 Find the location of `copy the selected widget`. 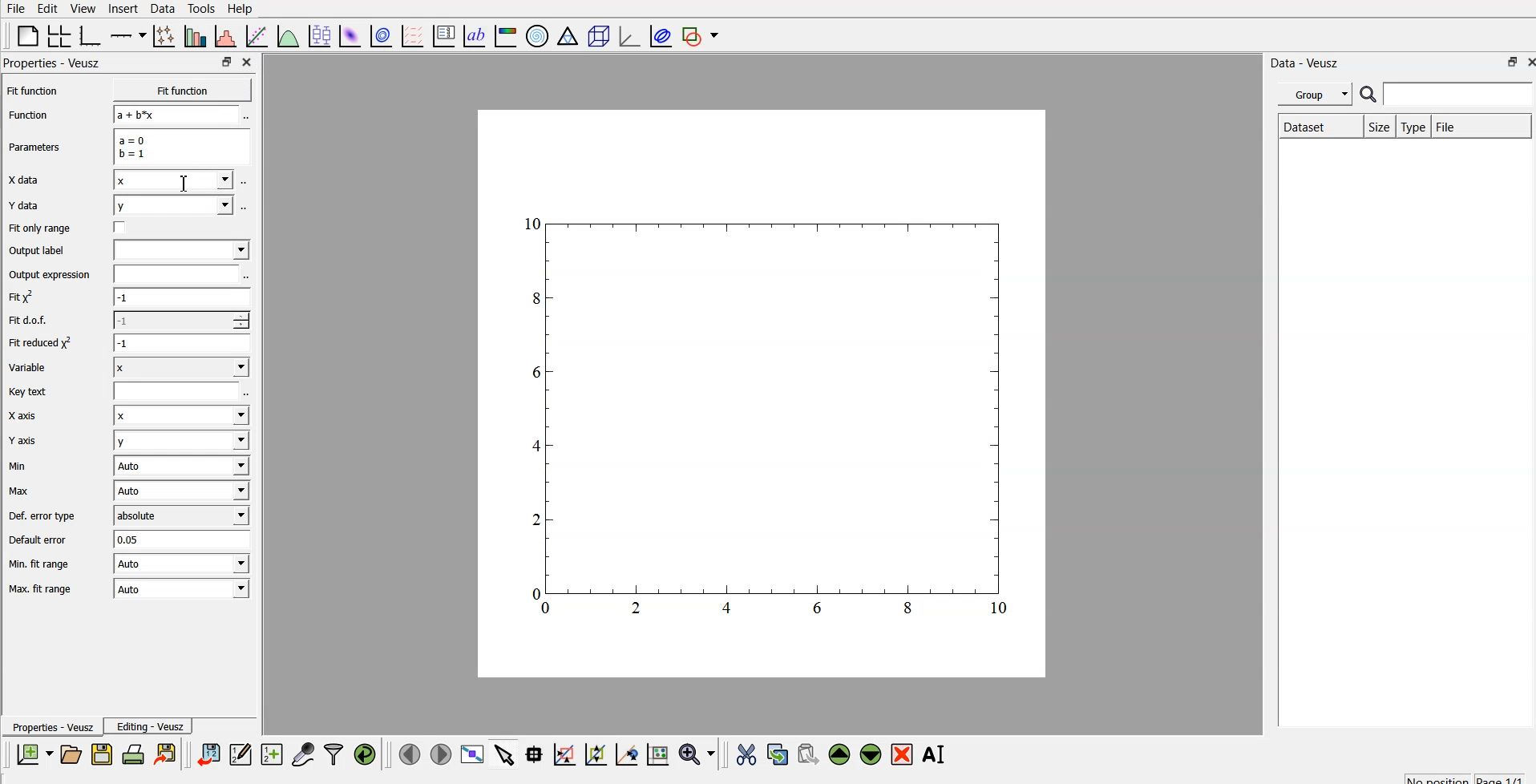

copy the selected widget is located at coordinates (778, 756).